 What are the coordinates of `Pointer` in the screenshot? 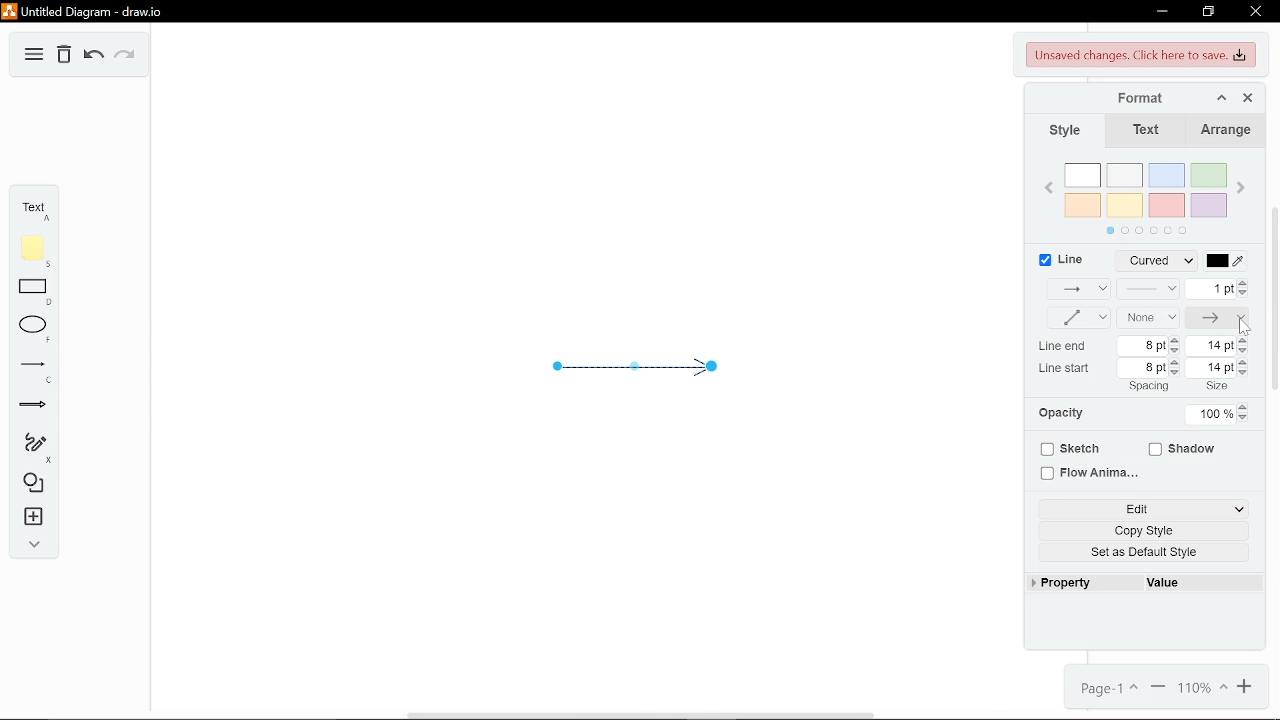 It's located at (1249, 327).